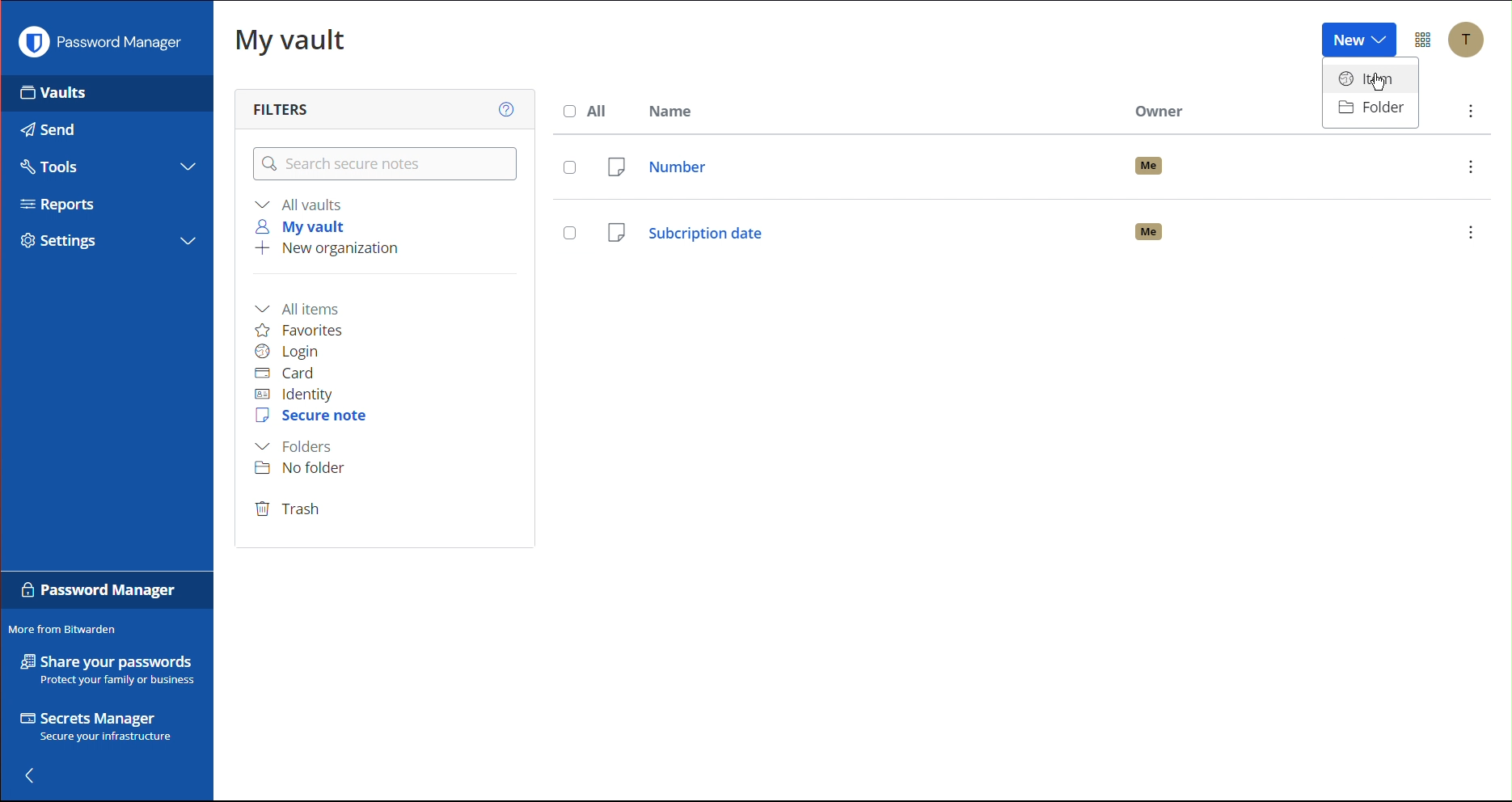 This screenshot has height=802, width=1512. I want to click on More from Bitwarden, so click(63, 630).